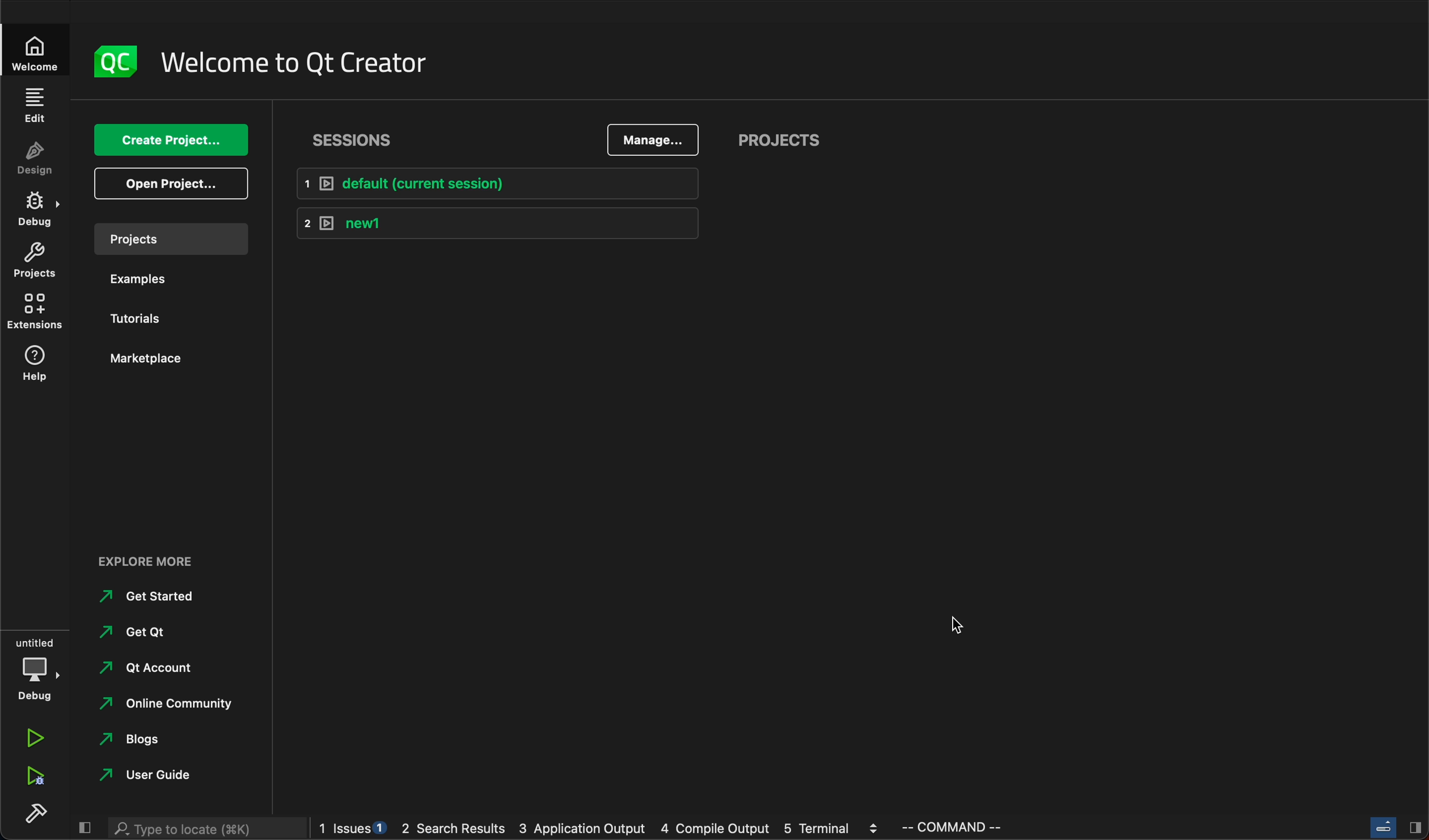 This screenshot has width=1429, height=840. I want to click on run, so click(32, 738).